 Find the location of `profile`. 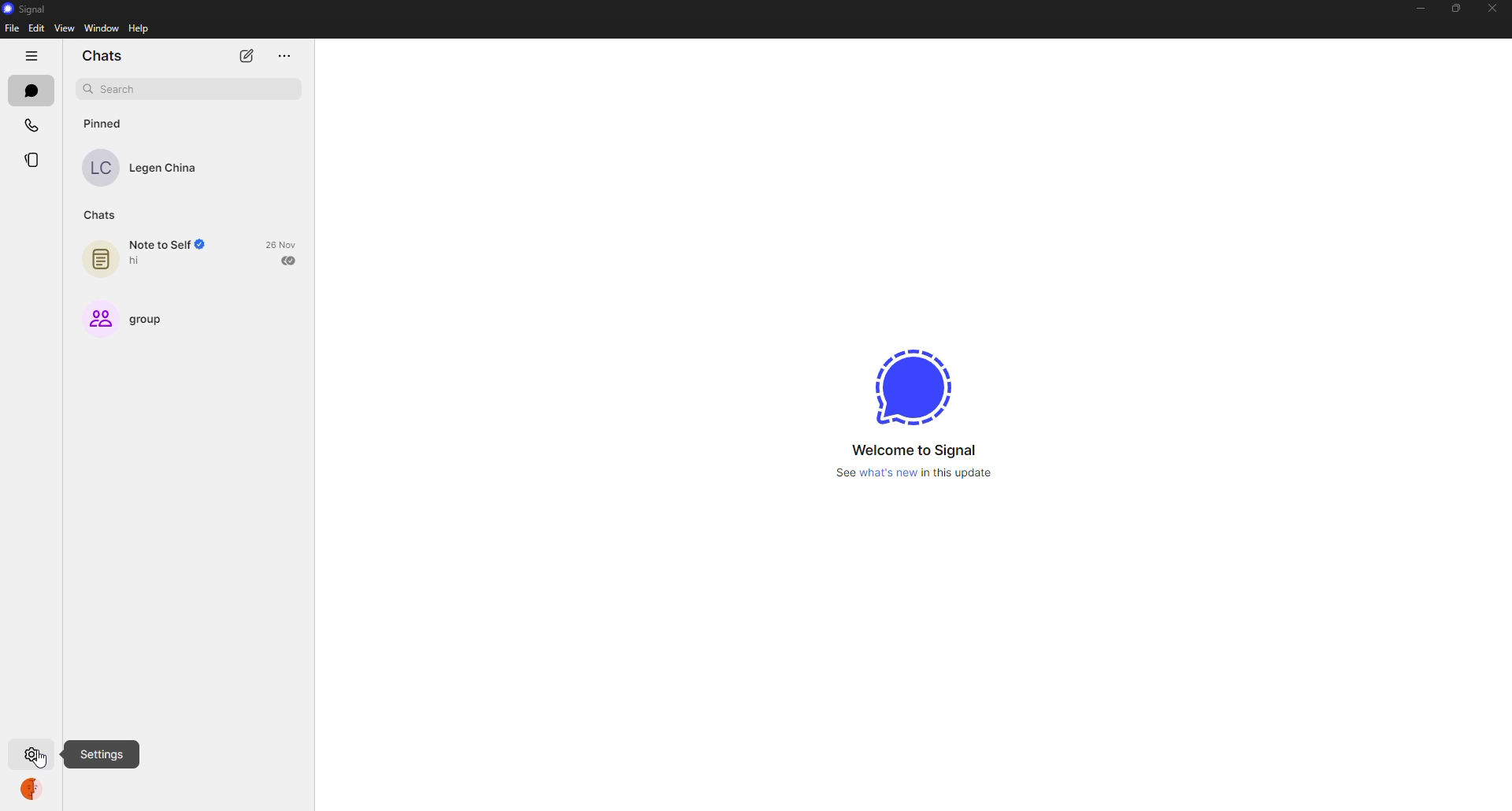

profile is located at coordinates (33, 790).